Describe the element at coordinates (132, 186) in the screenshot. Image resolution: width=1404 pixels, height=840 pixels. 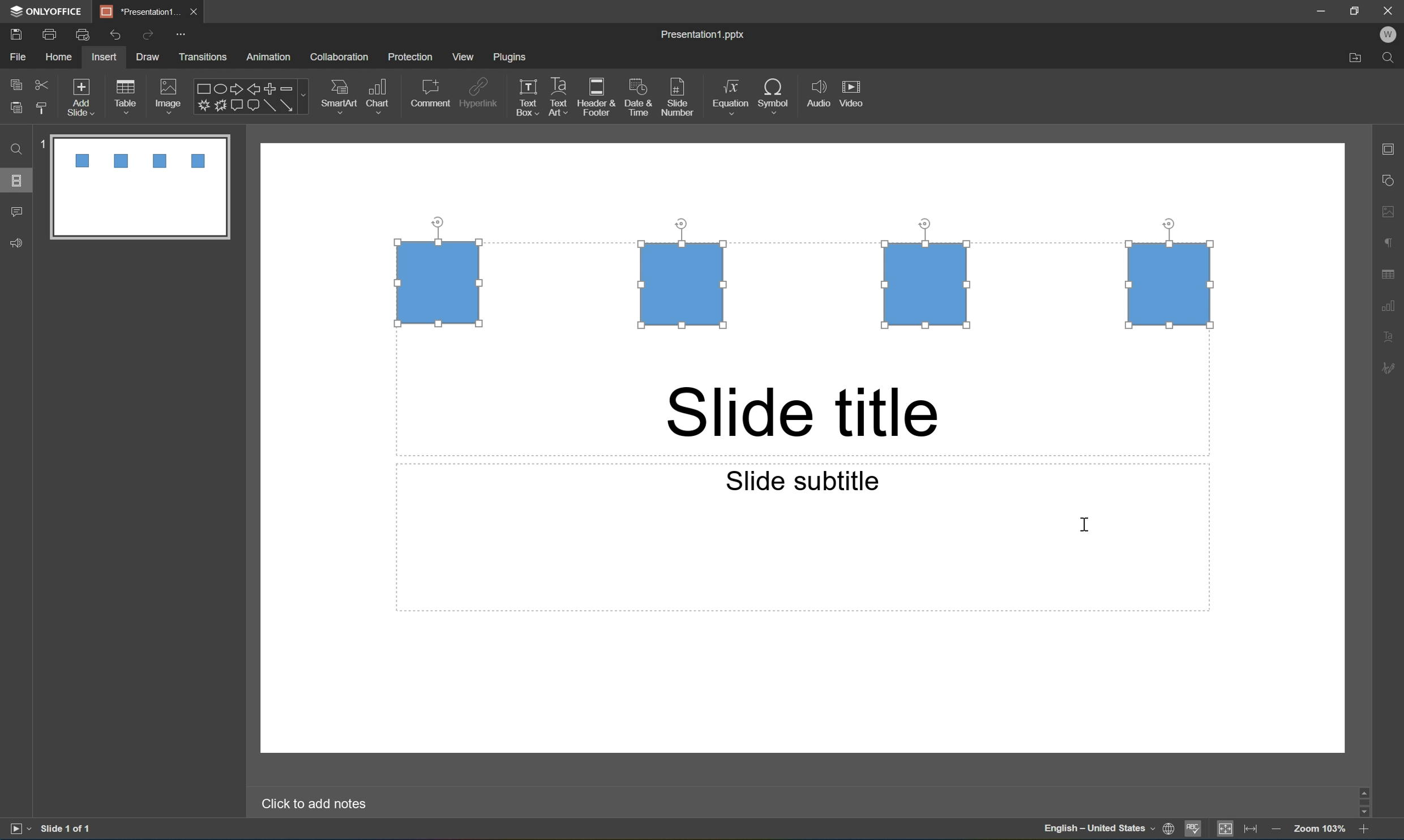
I see `slide 1` at that location.